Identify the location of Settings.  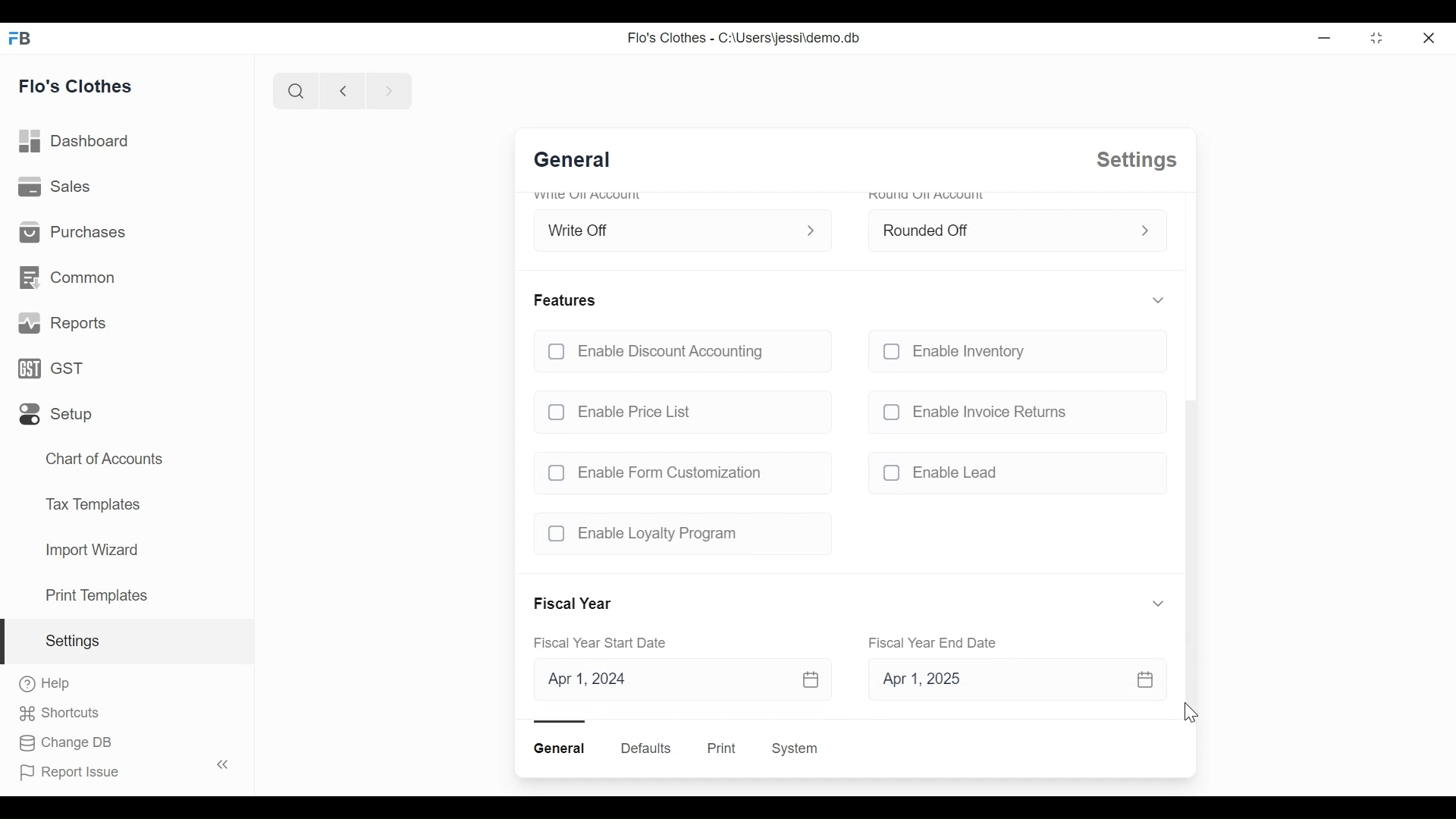
(127, 642).